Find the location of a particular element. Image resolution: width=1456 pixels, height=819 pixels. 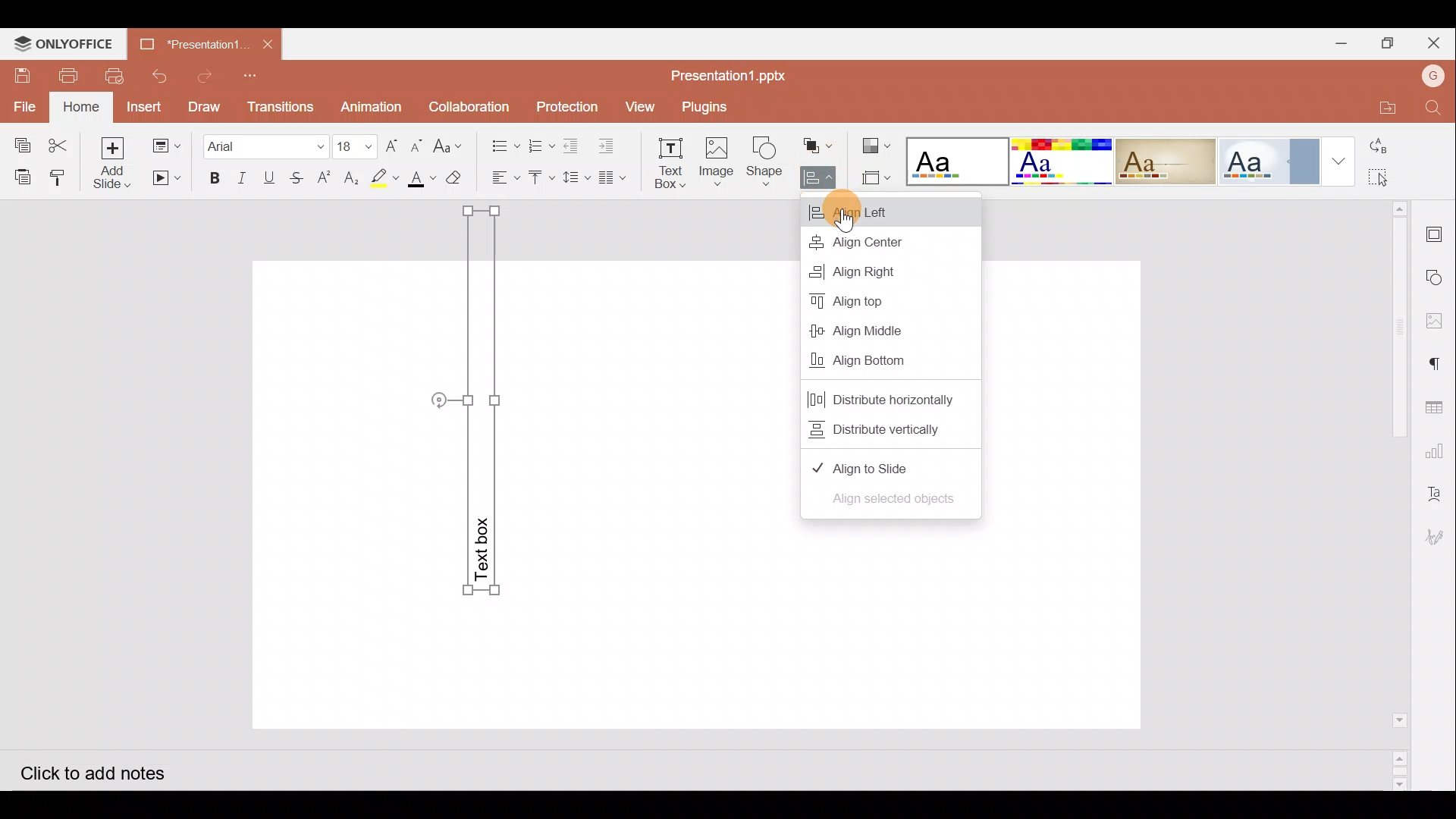

Clear style is located at coordinates (456, 181).